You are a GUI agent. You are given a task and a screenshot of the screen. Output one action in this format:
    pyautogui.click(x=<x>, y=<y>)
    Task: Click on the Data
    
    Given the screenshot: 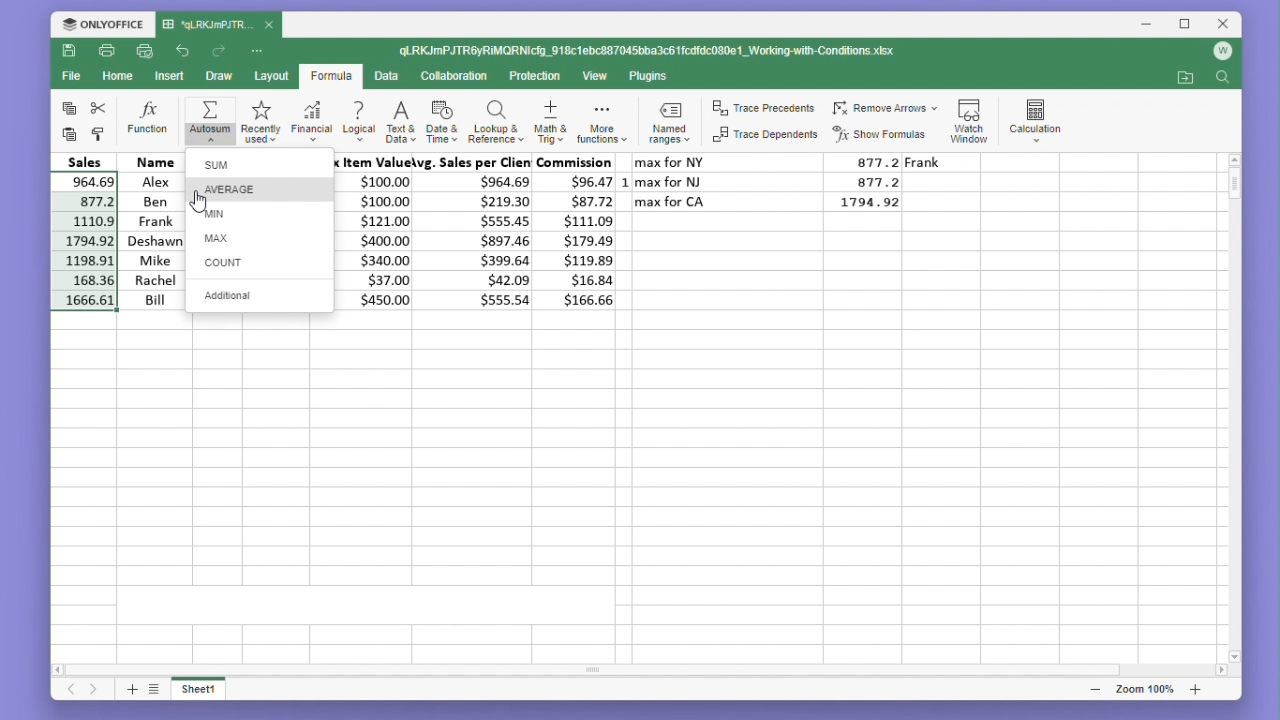 What is the action you would take?
    pyautogui.click(x=385, y=76)
    